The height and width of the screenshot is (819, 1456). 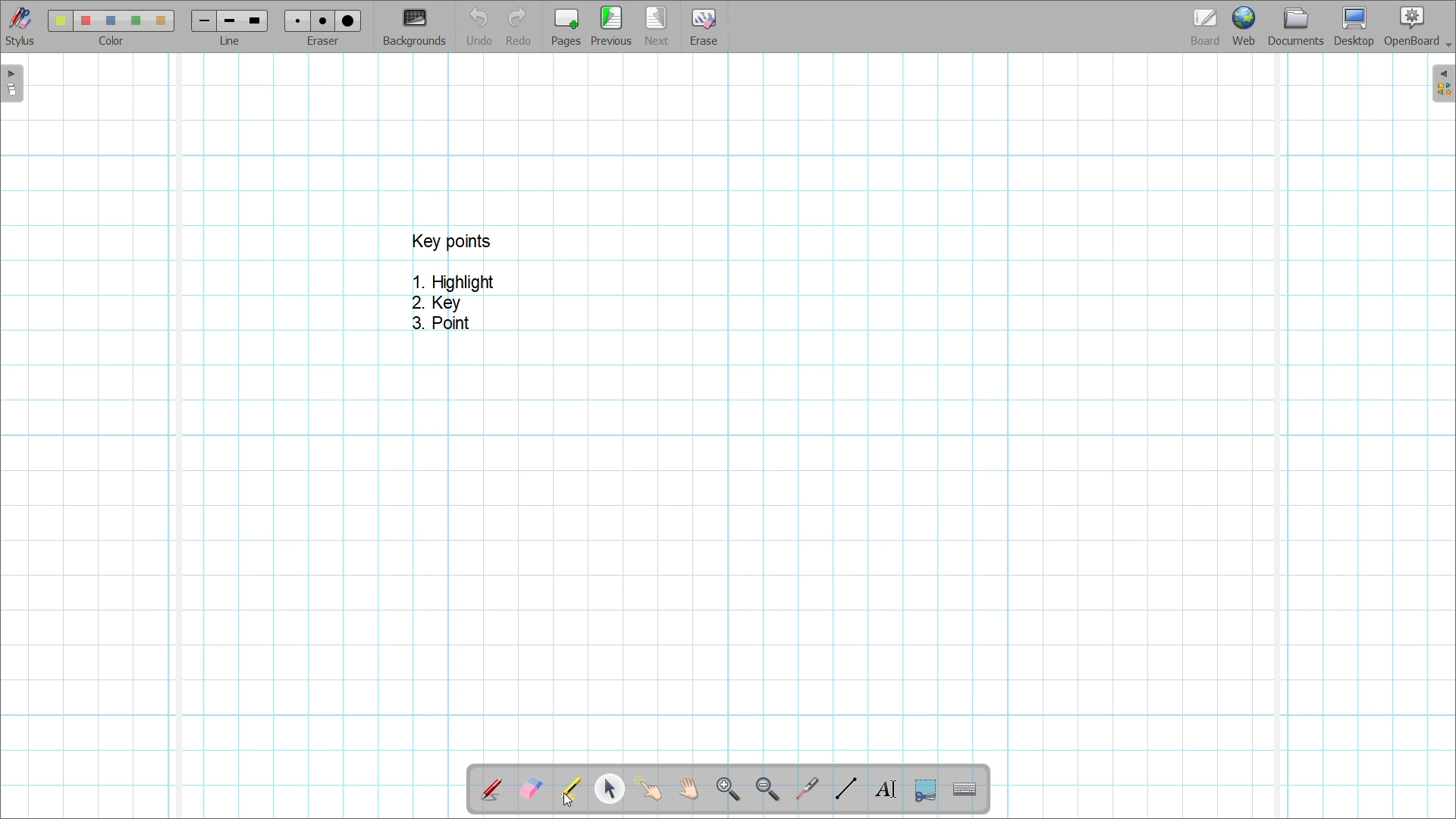 What do you see at coordinates (1244, 26) in the screenshot?
I see `Web` at bounding box center [1244, 26].